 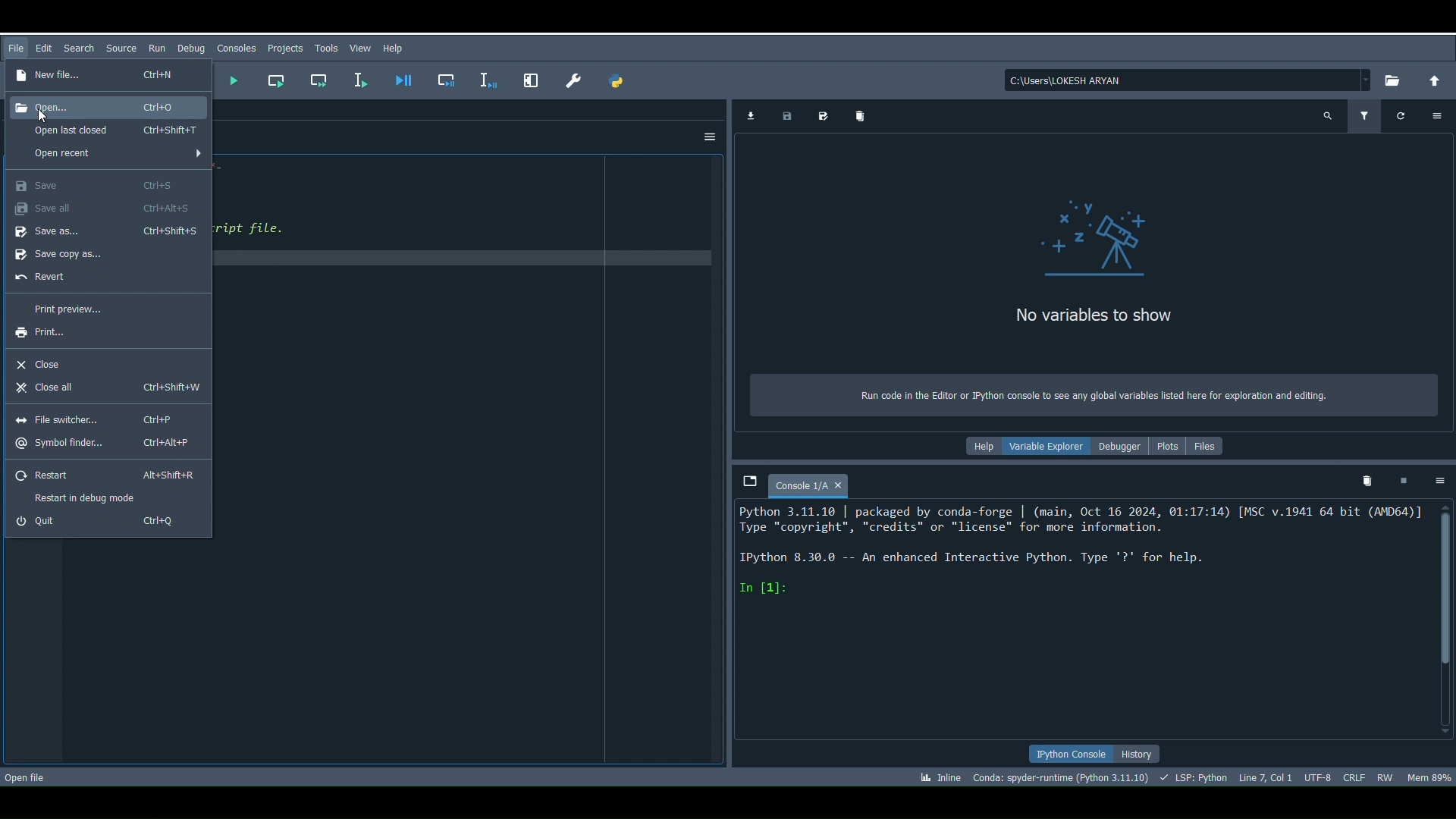 I want to click on Search, so click(x=121, y=49).